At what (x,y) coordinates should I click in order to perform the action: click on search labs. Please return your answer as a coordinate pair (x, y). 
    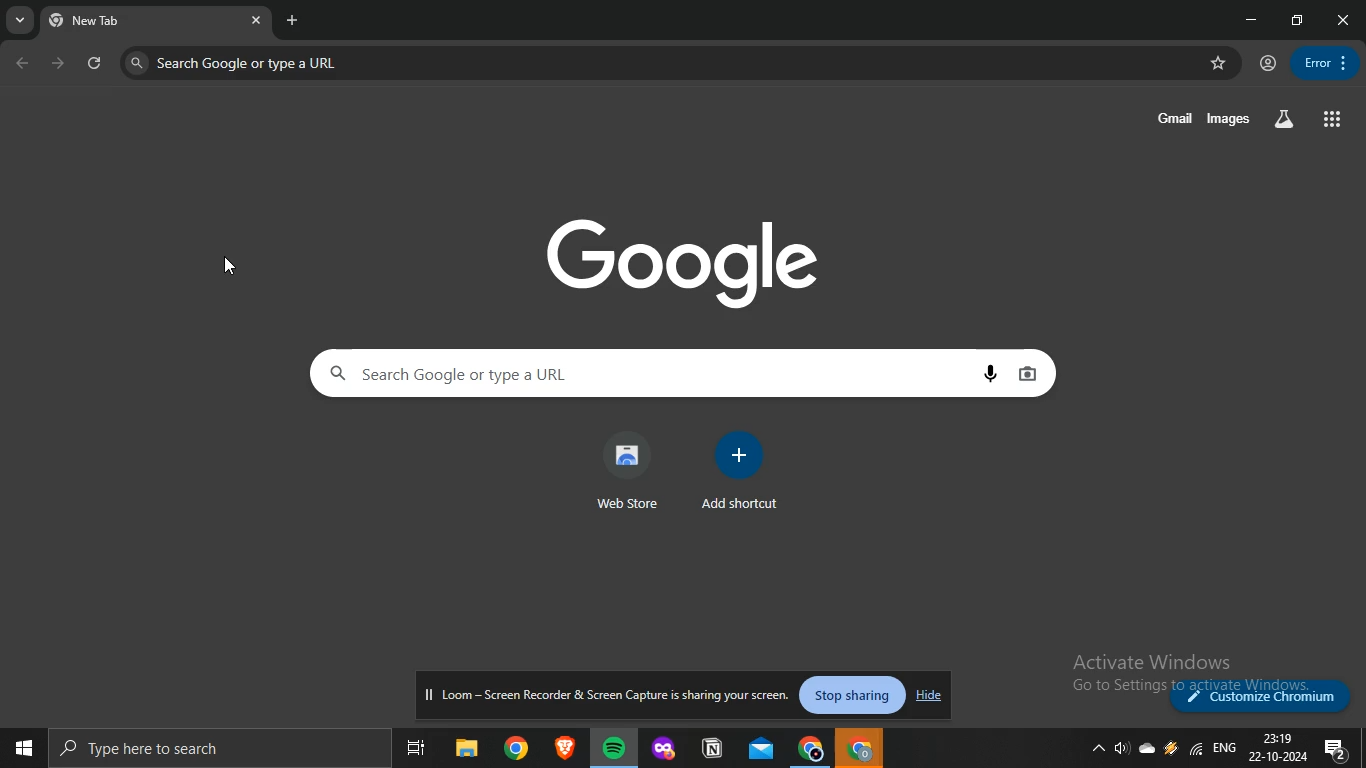
    Looking at the image, I should click on (1283, 117).